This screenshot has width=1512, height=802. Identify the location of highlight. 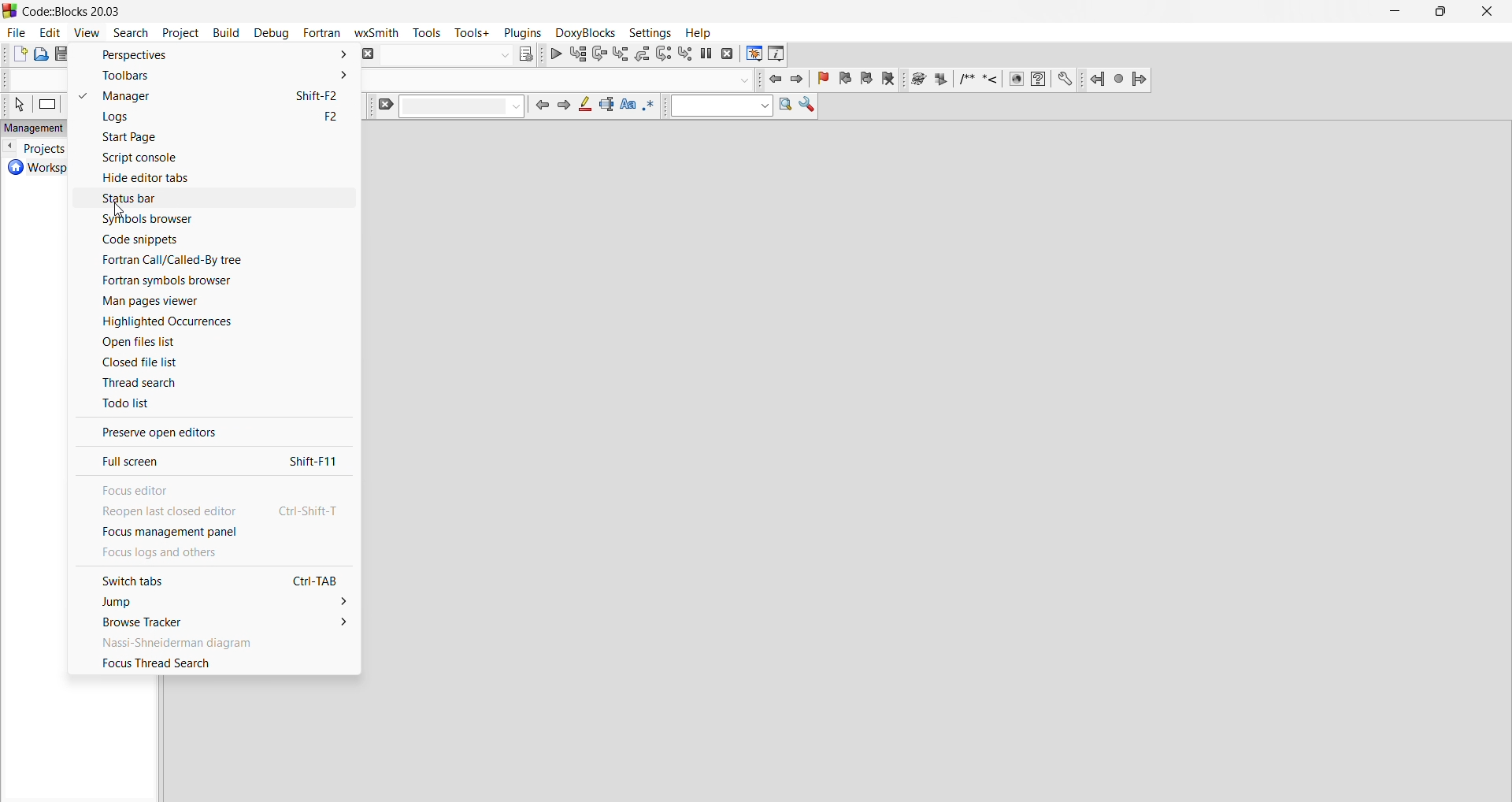
(584, 107).